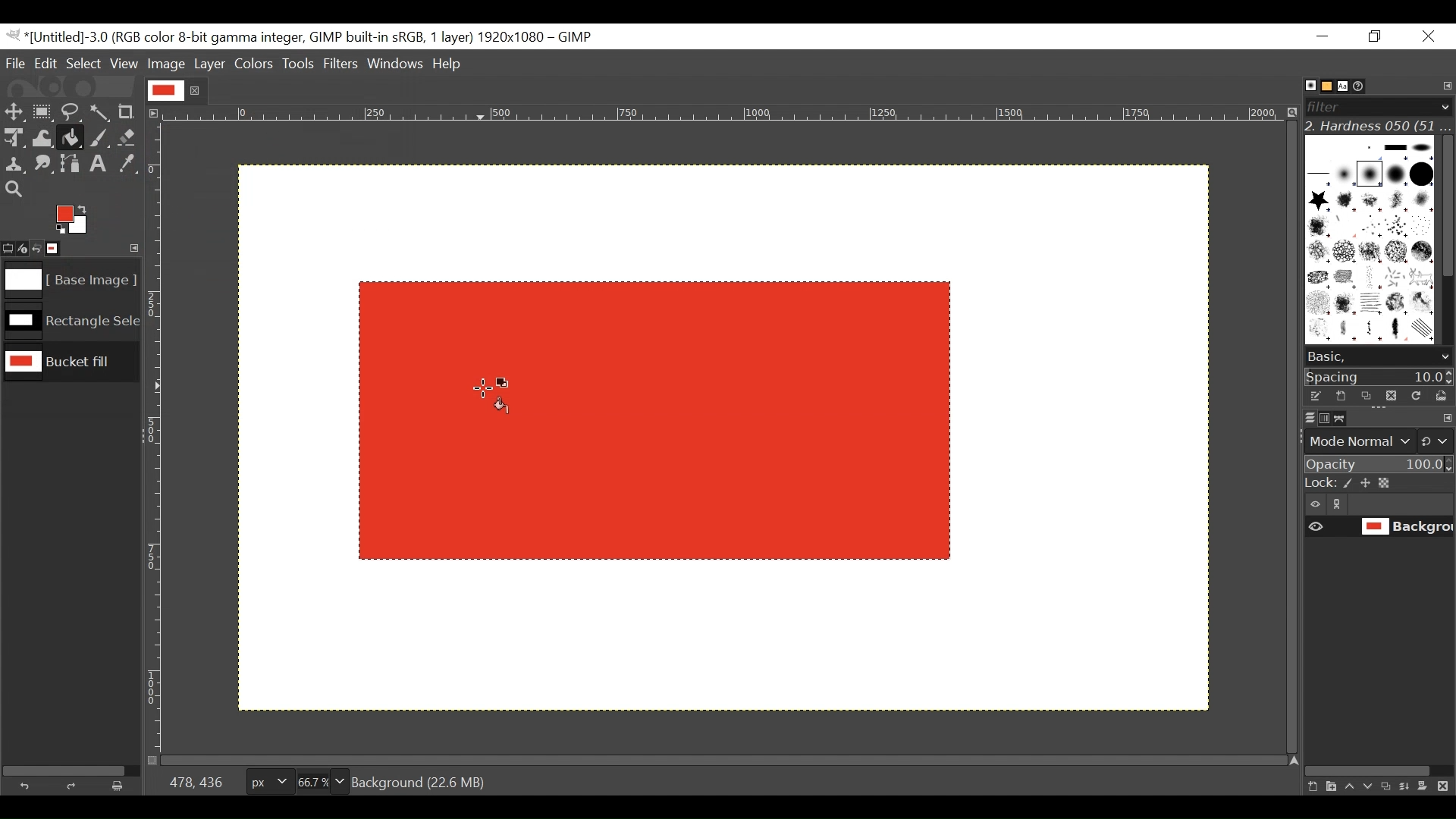 This screenshot has width=1456, height=819. What do you see at coordinates (1301, 417) in the screenshot?
I see `Layers` at bounding box center [1301, 417].